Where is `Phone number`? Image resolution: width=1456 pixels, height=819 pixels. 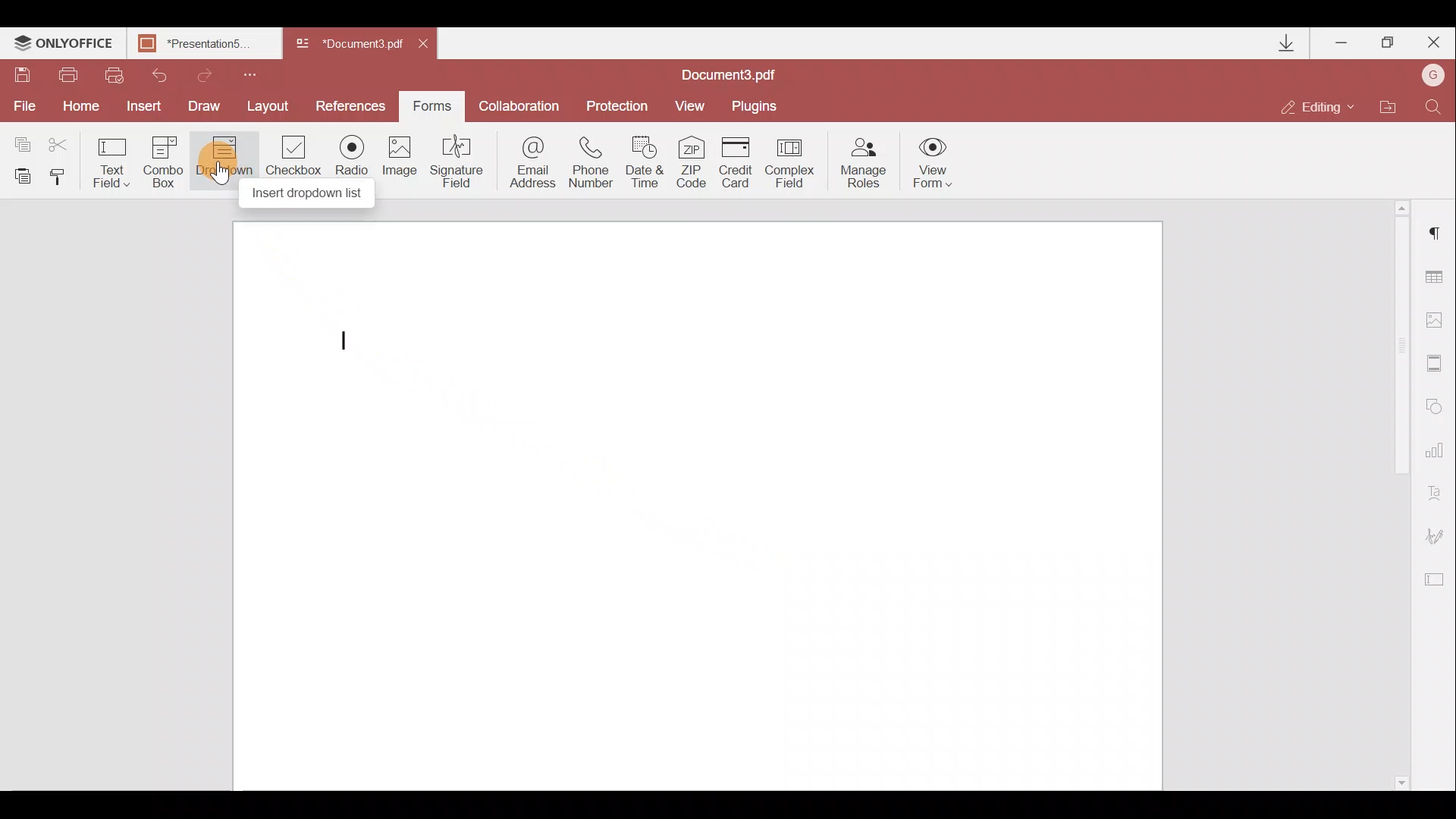 Phone number is located at coordinates (593, 162).